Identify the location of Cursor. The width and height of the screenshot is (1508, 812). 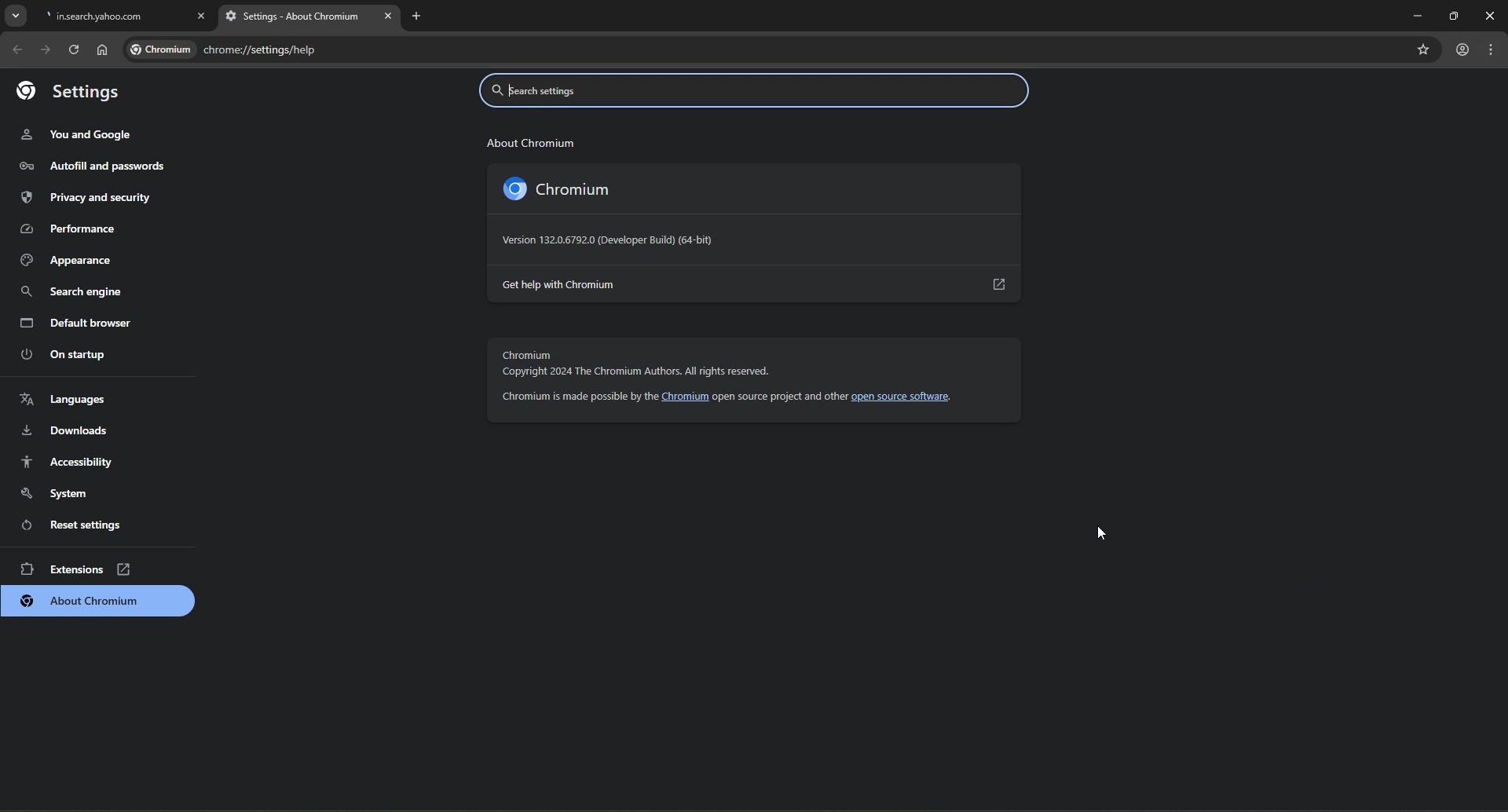
(1108, 533).